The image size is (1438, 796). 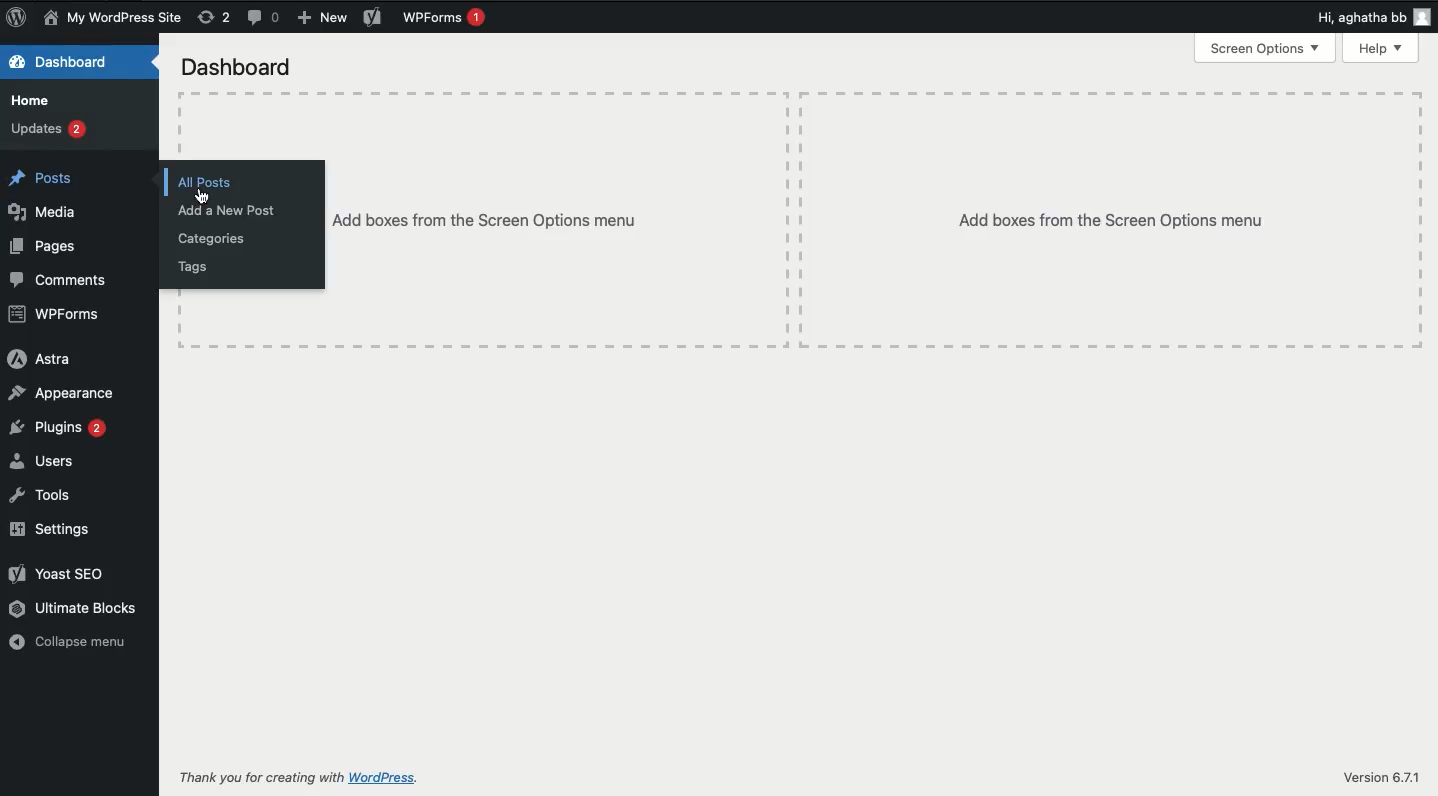 I want to click on Collapse menu, so click(x=70, y=641).